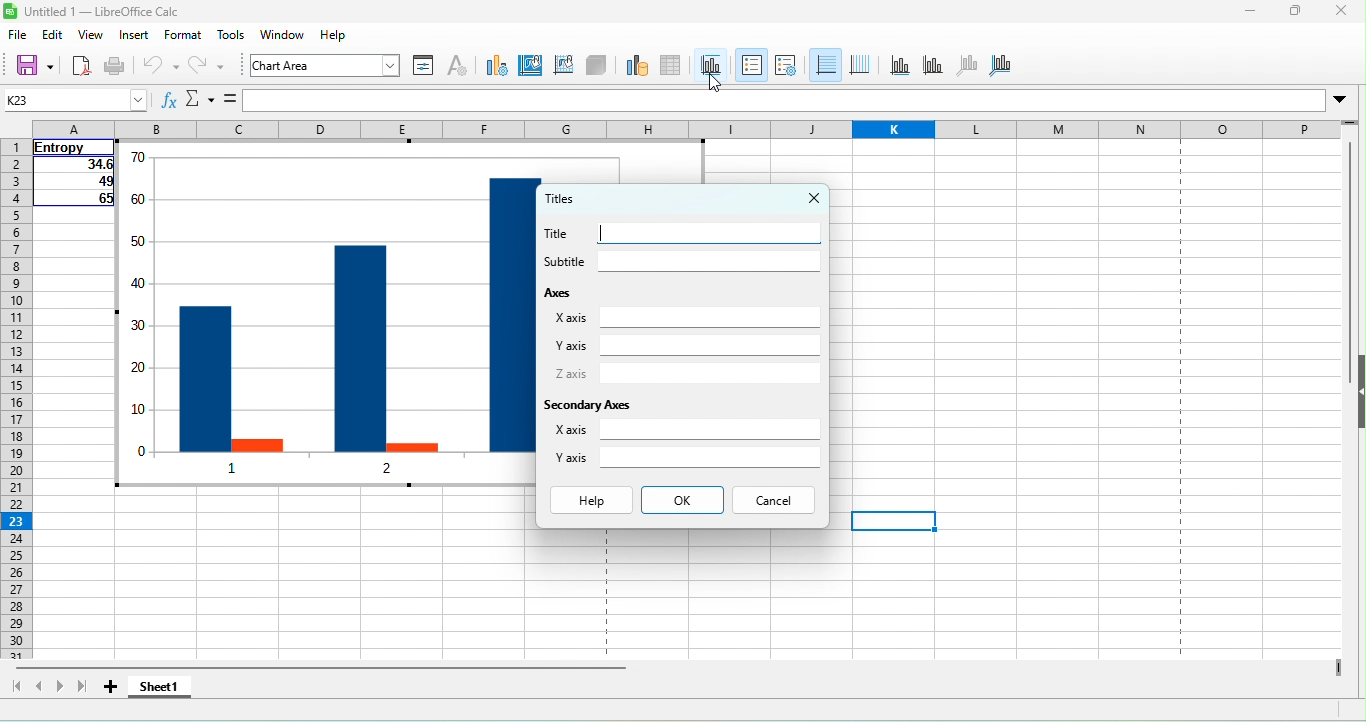  Describe the element at coordinates (804, 199) in the screenshot. I see `close` at that location.